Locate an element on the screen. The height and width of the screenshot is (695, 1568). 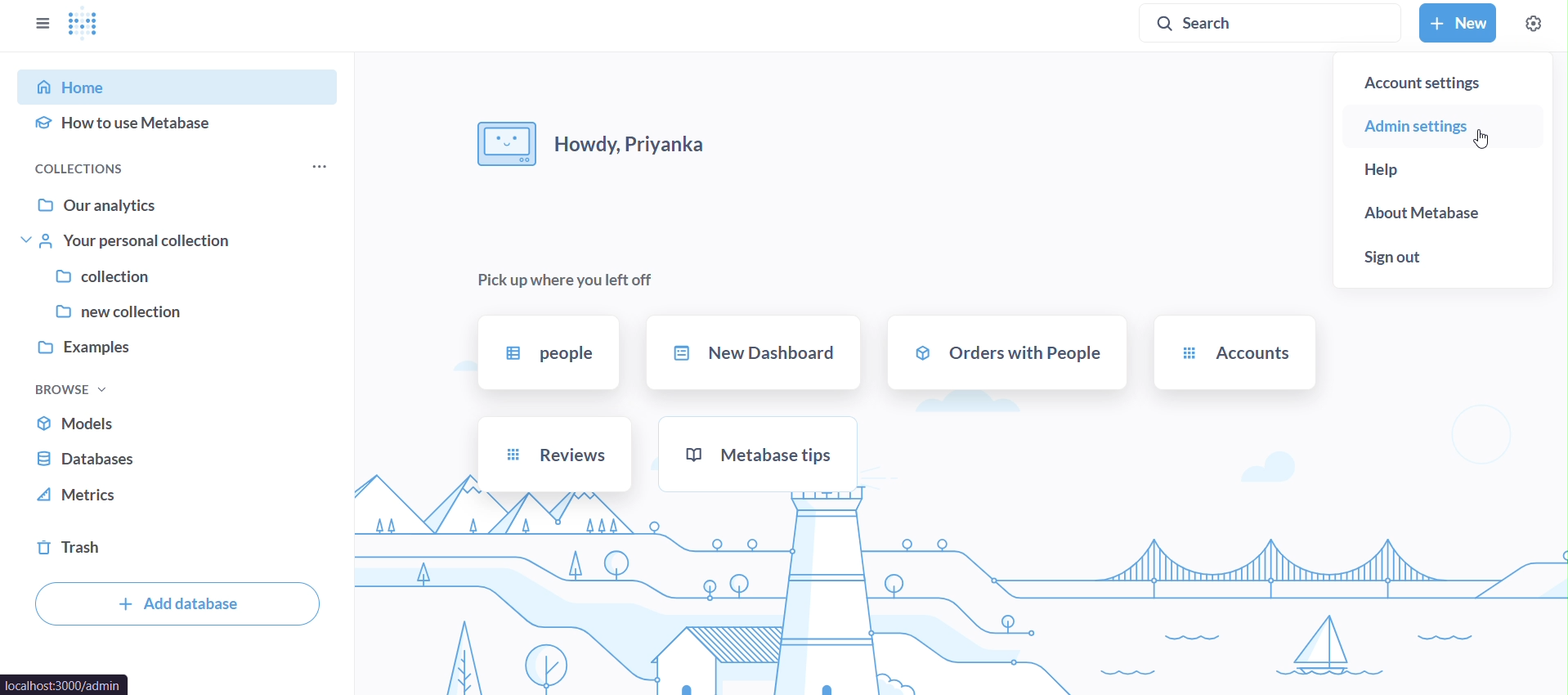
pickup where you left off is located at coordinates (559, 280).